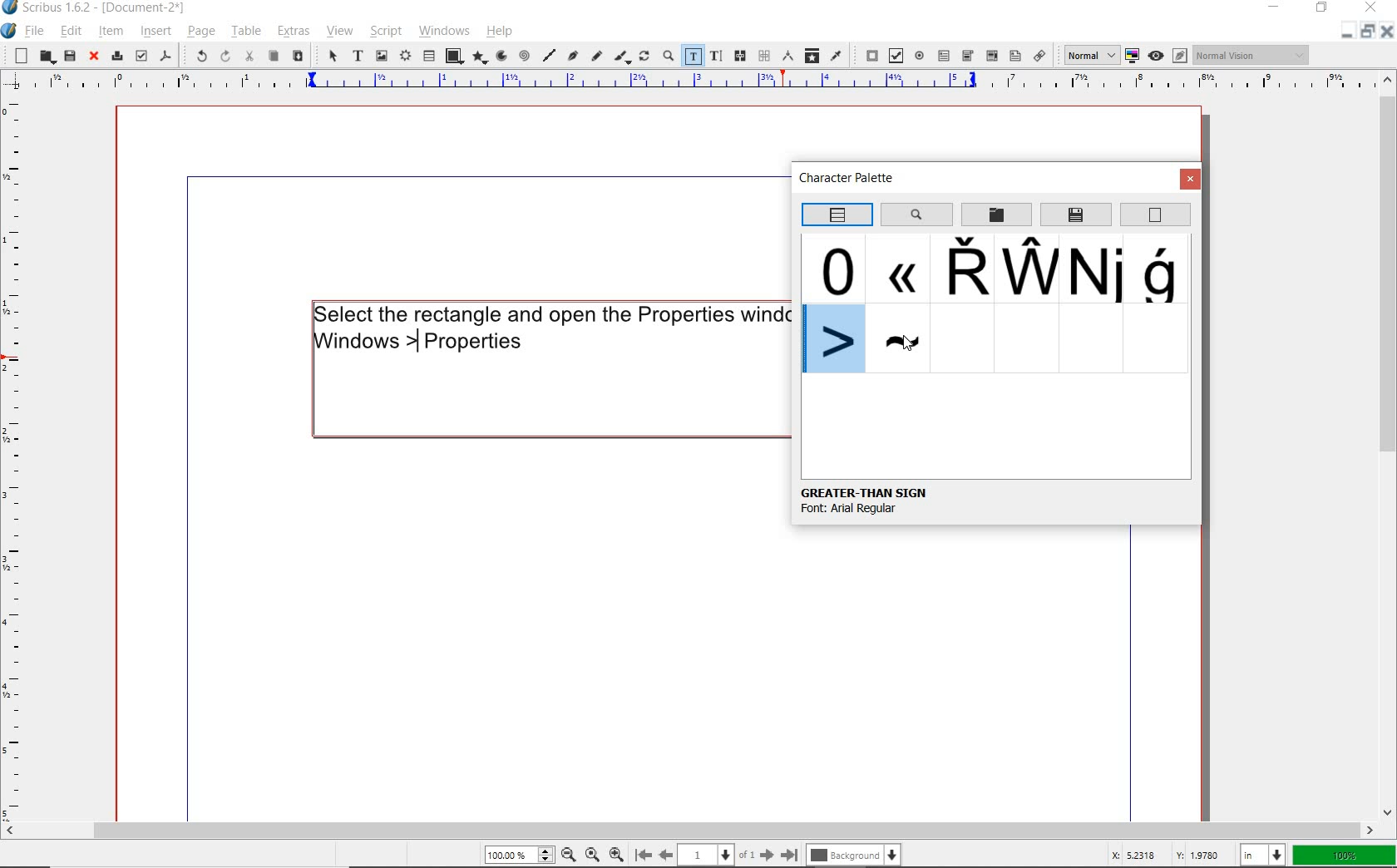 The width and height of the screenshot is (1397, 868). Describe the element at coordinates (836, 340) in the screenshot. I see `Unicode 003e Entered` at that location.